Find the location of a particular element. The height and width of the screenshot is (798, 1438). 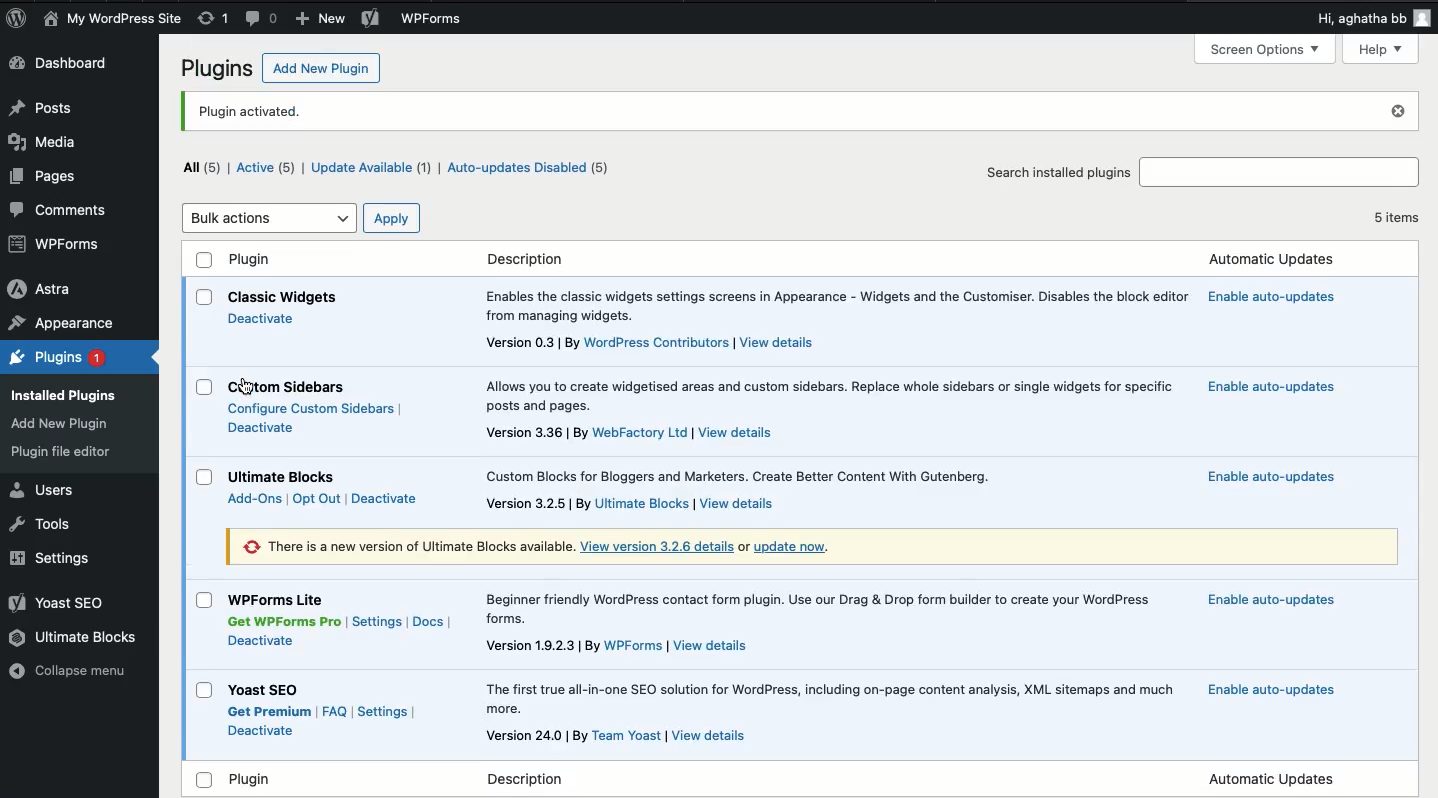

Yoast is located at coordinates (59, 604).